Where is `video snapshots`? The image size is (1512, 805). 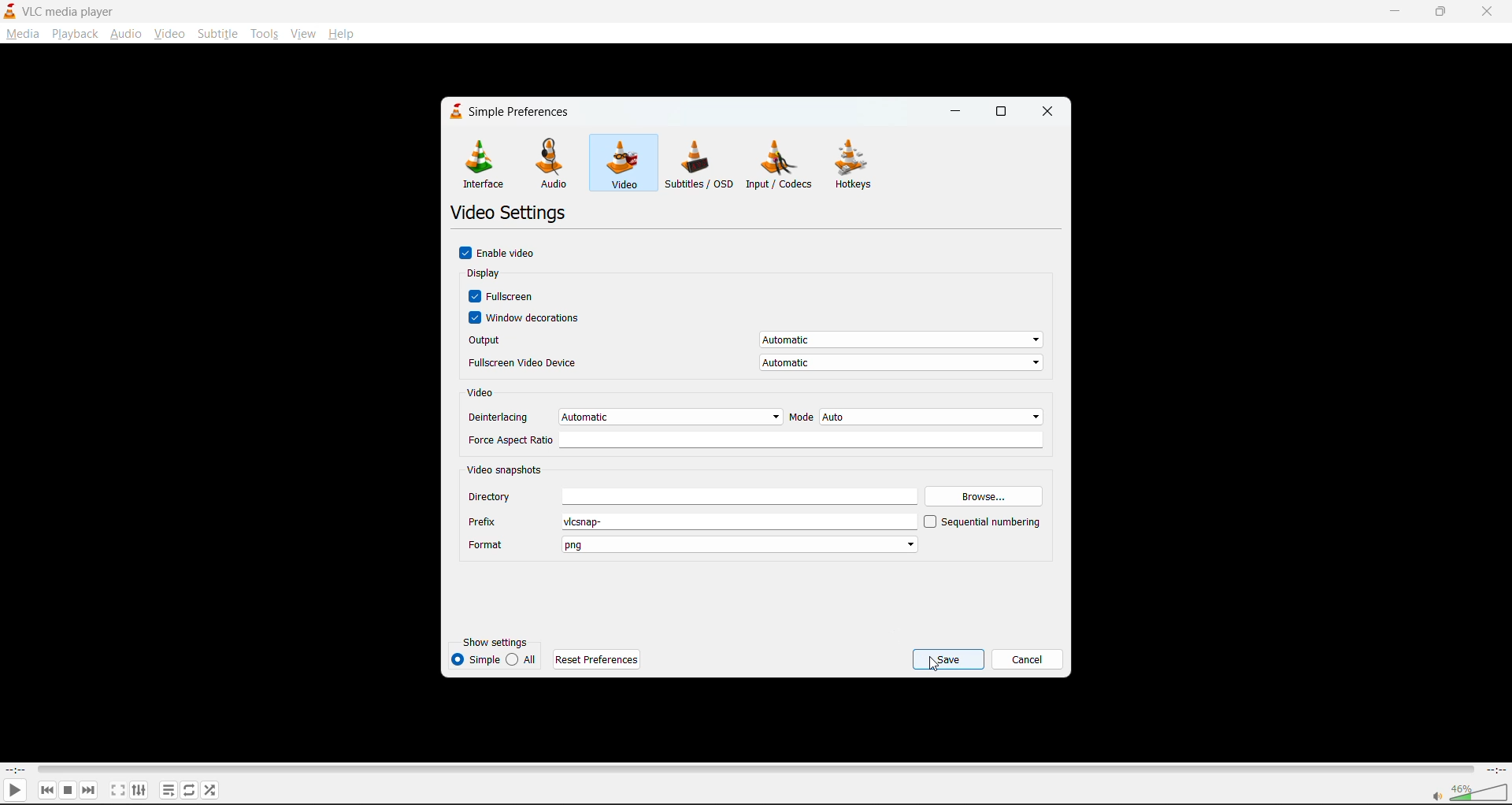 video snapshots is located at coordinates (506, 470).